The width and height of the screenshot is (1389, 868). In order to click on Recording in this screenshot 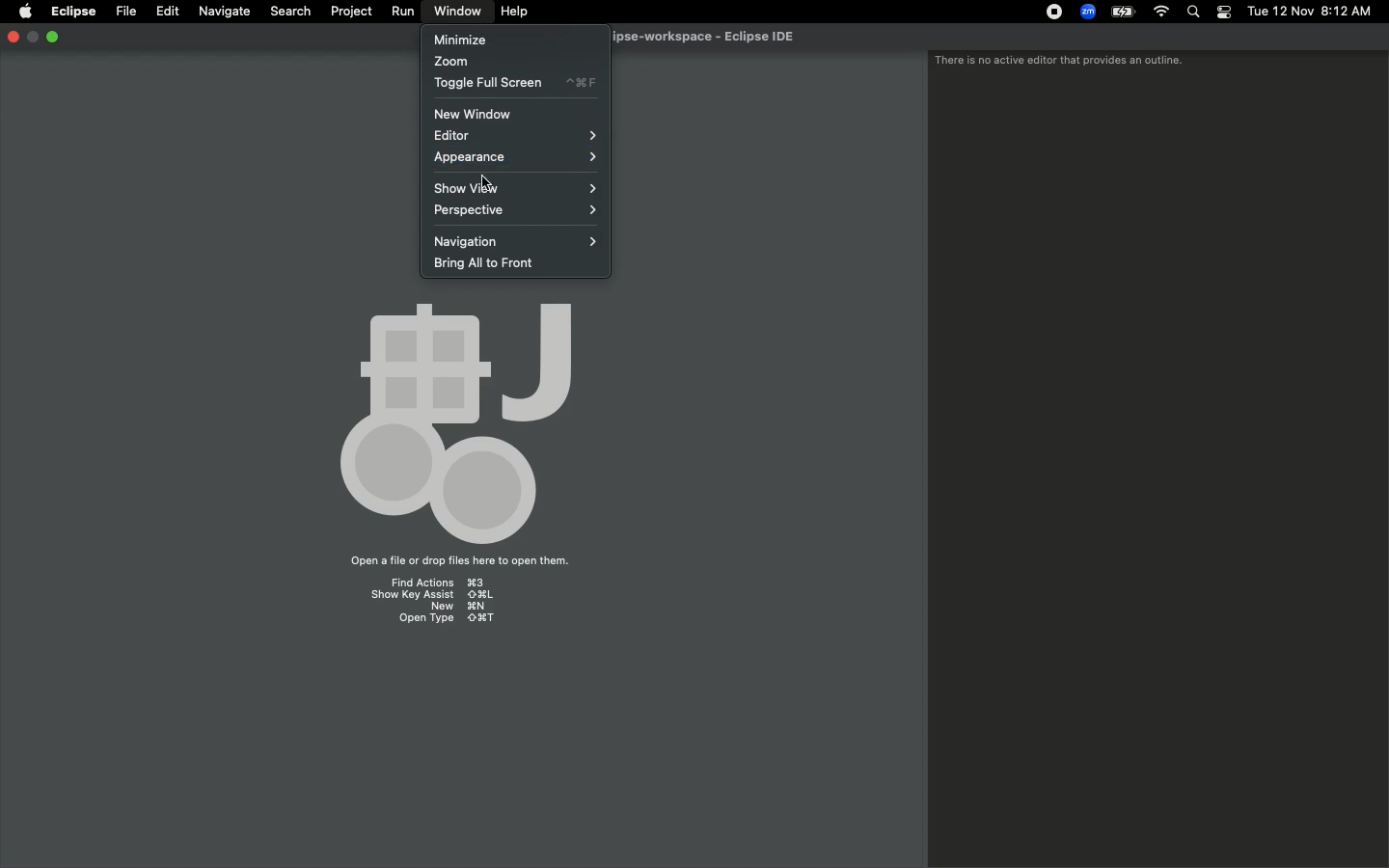, I will do `click(1049, 12)`.